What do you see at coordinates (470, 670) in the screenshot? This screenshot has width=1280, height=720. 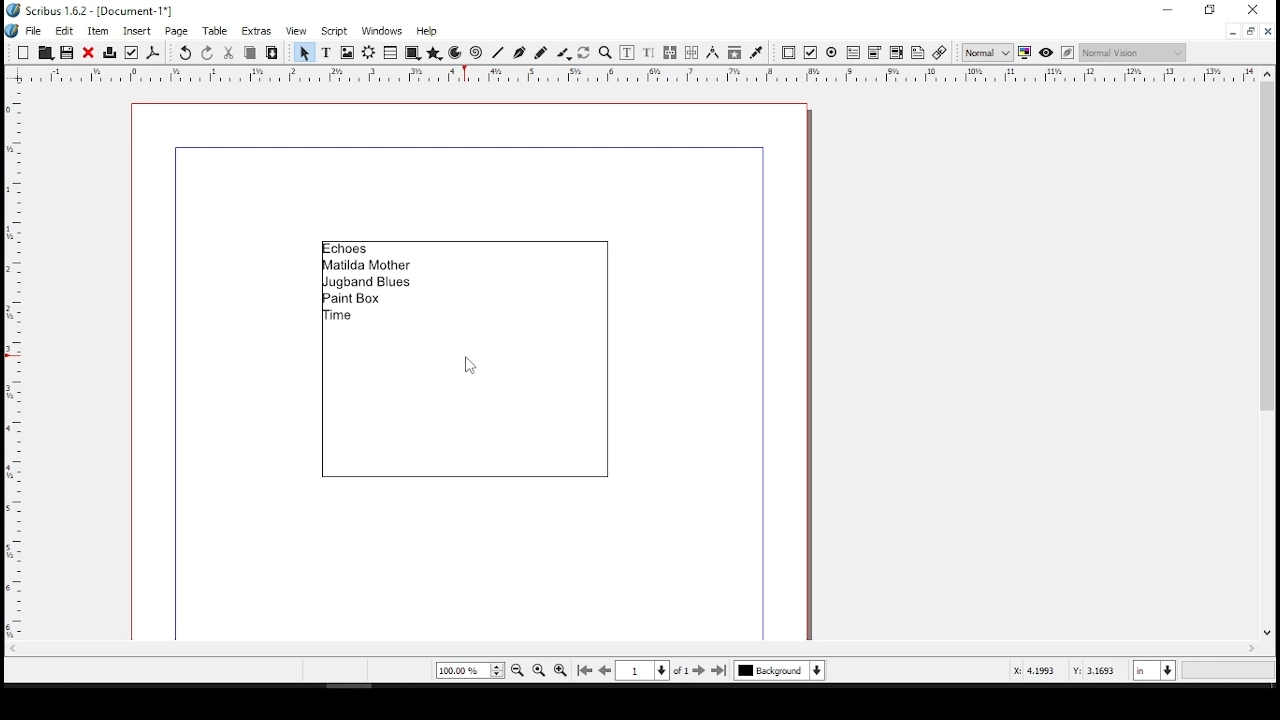 I see `current zoom level` at bounding box center [470, 670].